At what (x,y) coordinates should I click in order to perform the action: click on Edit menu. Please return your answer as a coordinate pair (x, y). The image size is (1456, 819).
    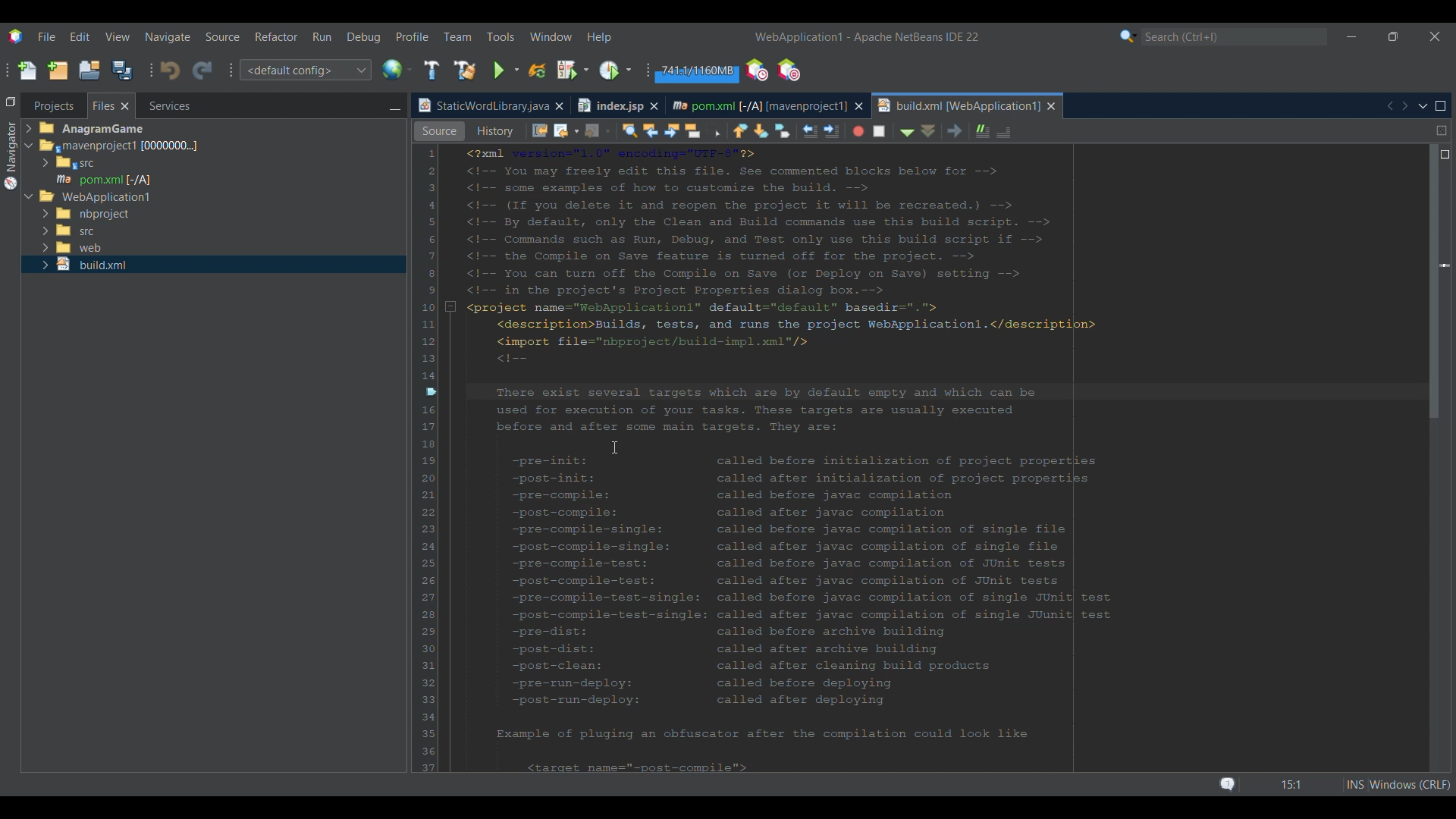
    Looking at the image, I should click on (80, 36).